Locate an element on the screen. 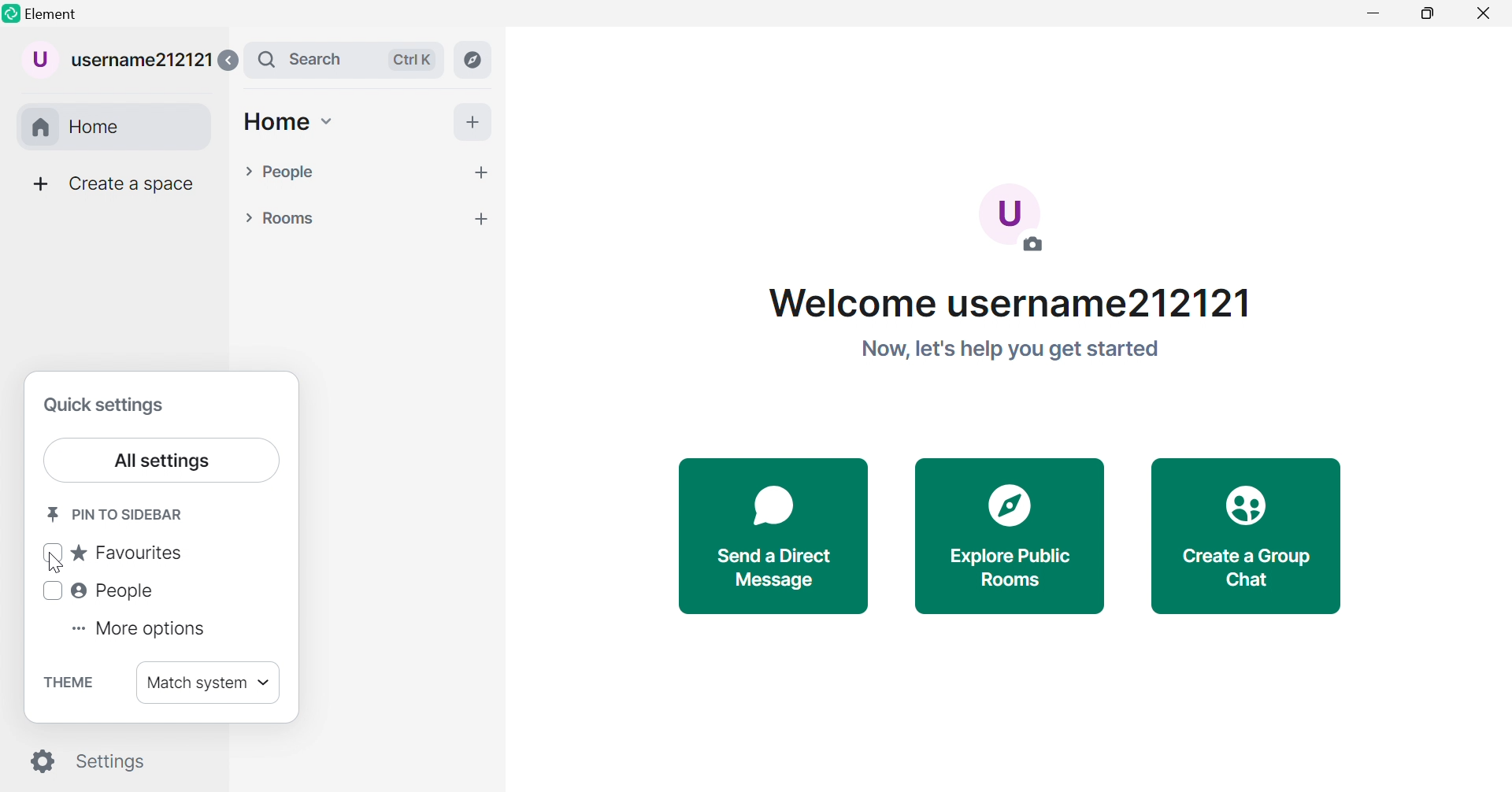  Rooms is located at coordinates (279, 220).